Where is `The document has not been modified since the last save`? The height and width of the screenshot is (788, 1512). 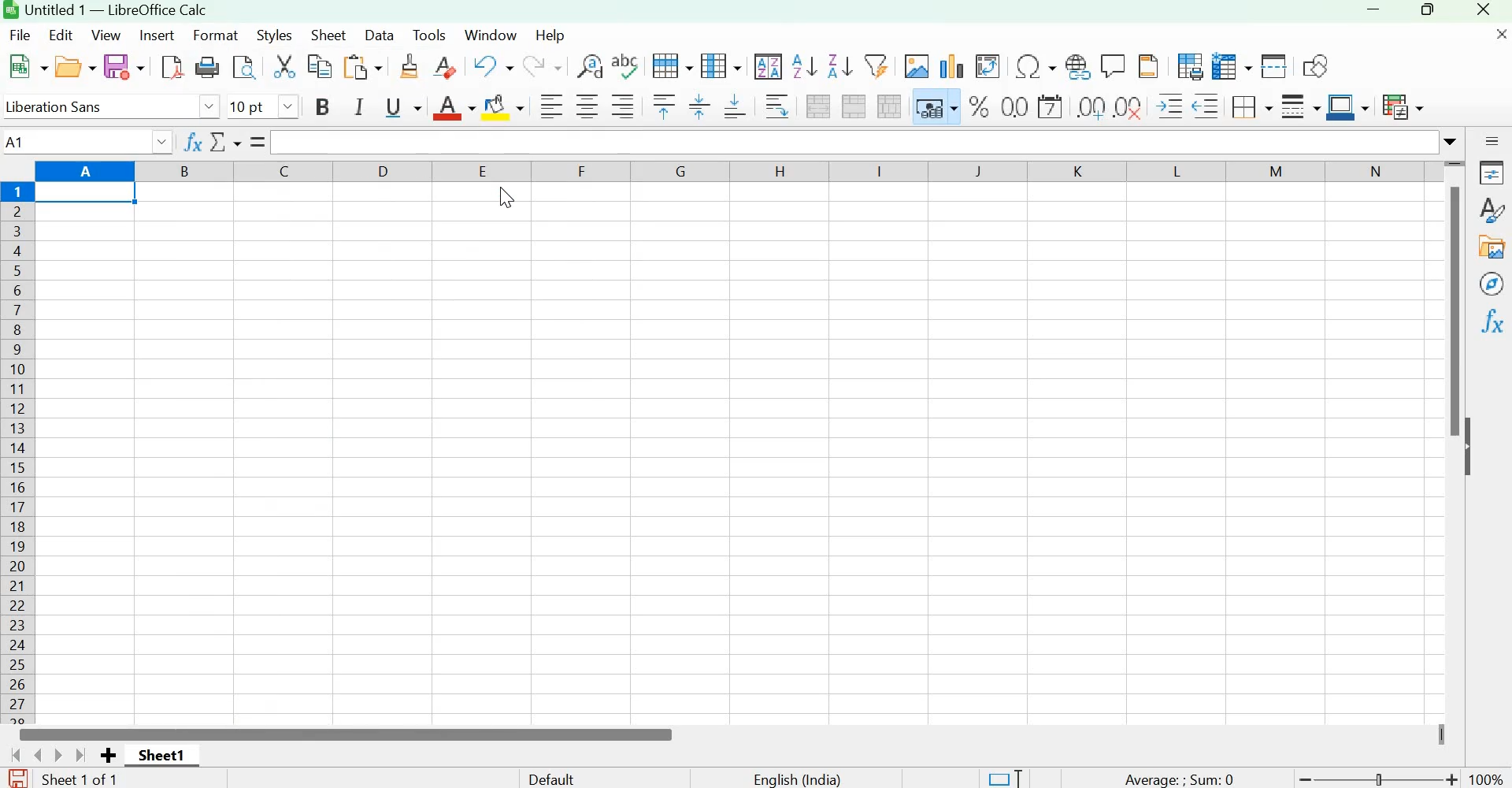 The document has not been modified since the last save is located at coordinates (17, 777).